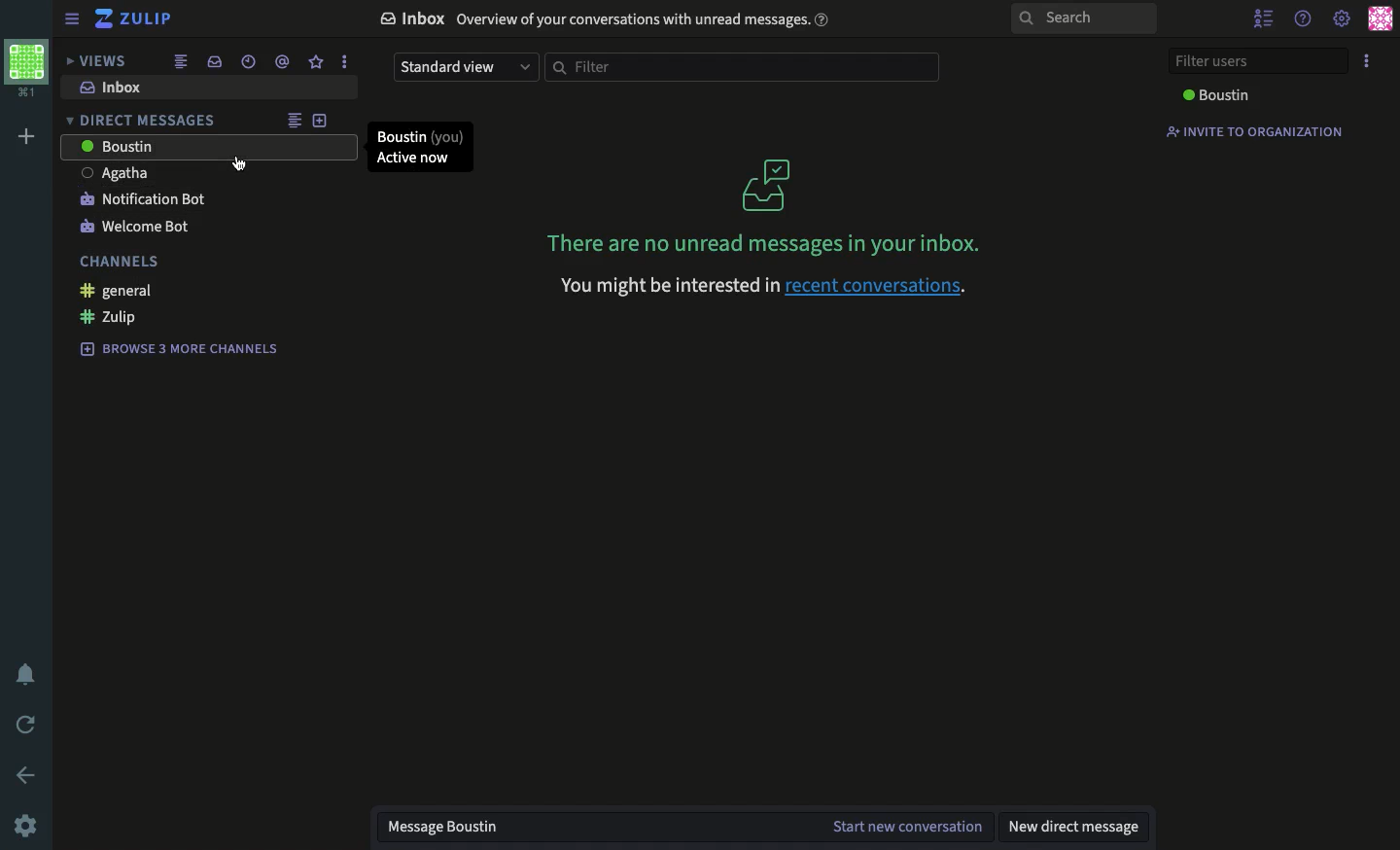  I want to click on There are no unread messages in your inbox., so click(761, 242).